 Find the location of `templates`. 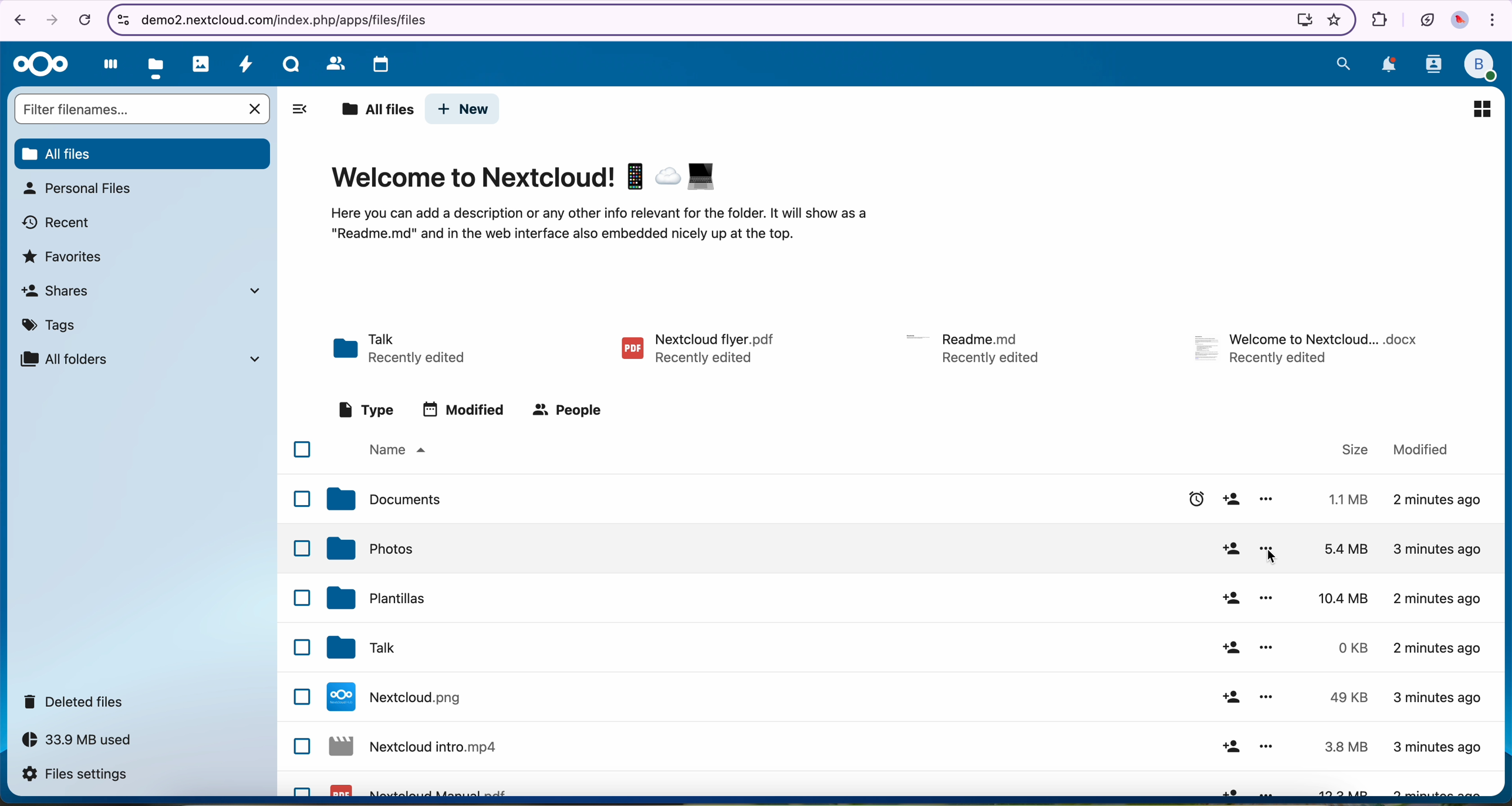

templates is located at coordinates (379, 600).